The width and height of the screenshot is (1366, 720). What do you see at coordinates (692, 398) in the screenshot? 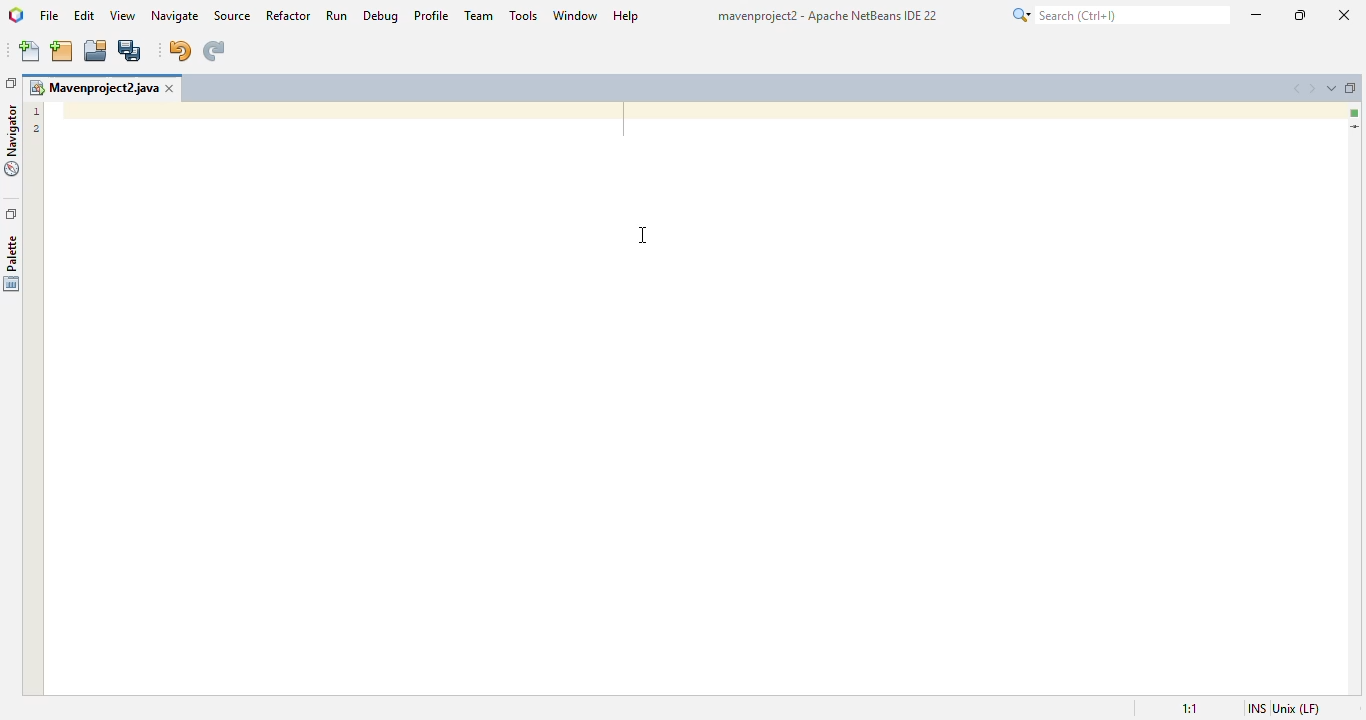
I see `project tab as main window` at bounding box center [692, 398].